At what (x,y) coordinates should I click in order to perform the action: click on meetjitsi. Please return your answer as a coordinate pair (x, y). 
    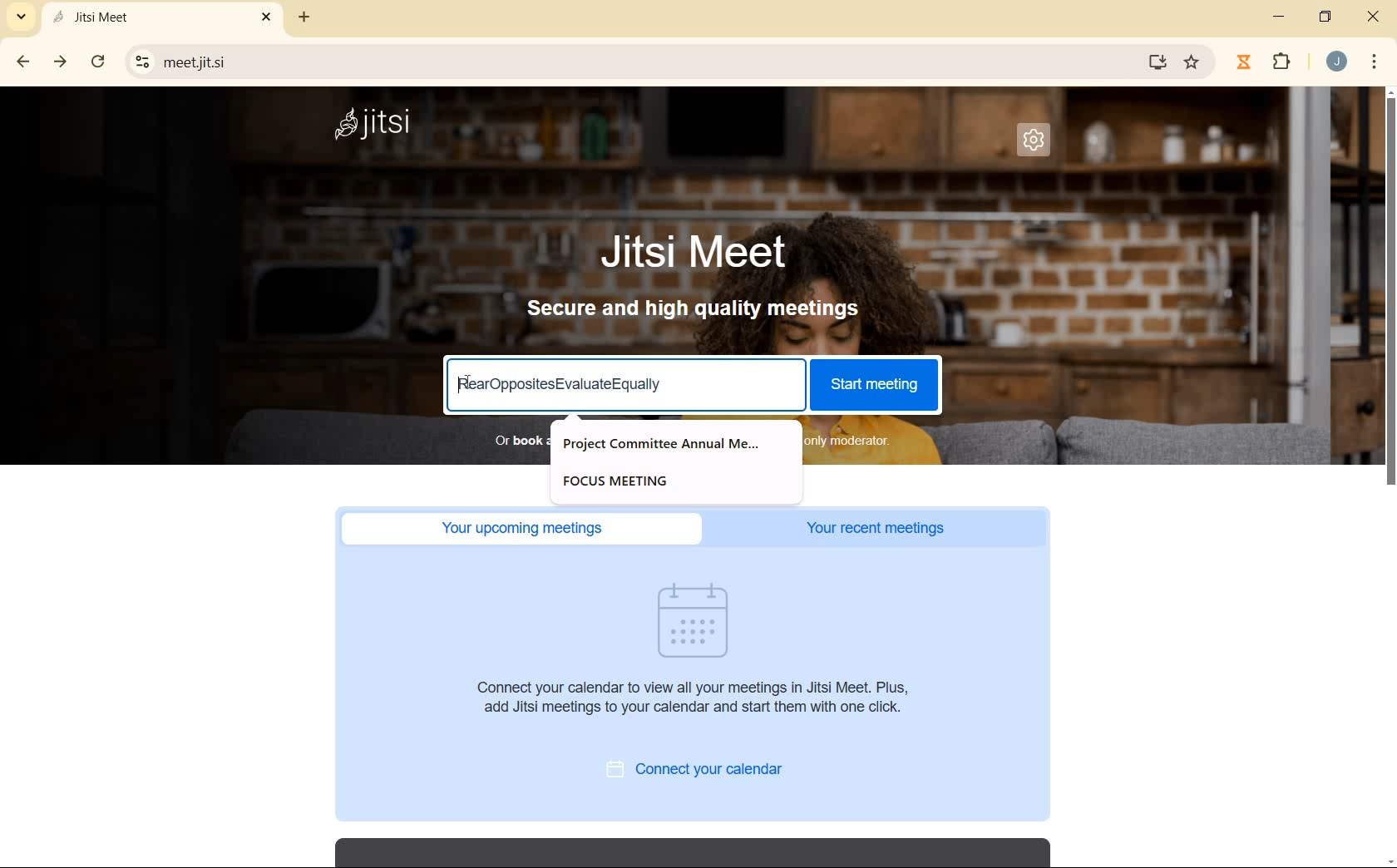
    Looking at the image, I should click on (639, 62).